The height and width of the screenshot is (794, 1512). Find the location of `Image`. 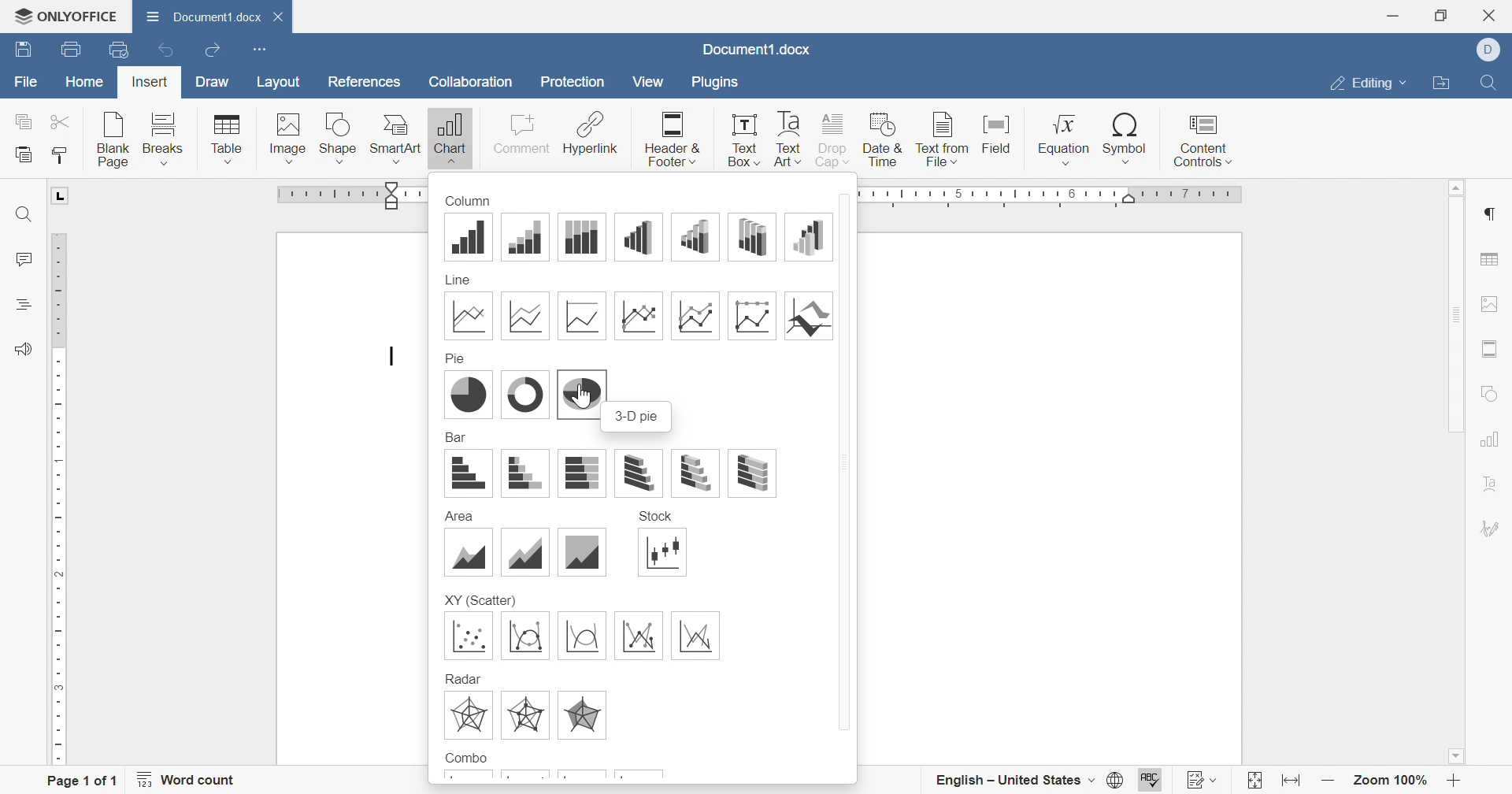

Image is located at coordinates (288, 135).